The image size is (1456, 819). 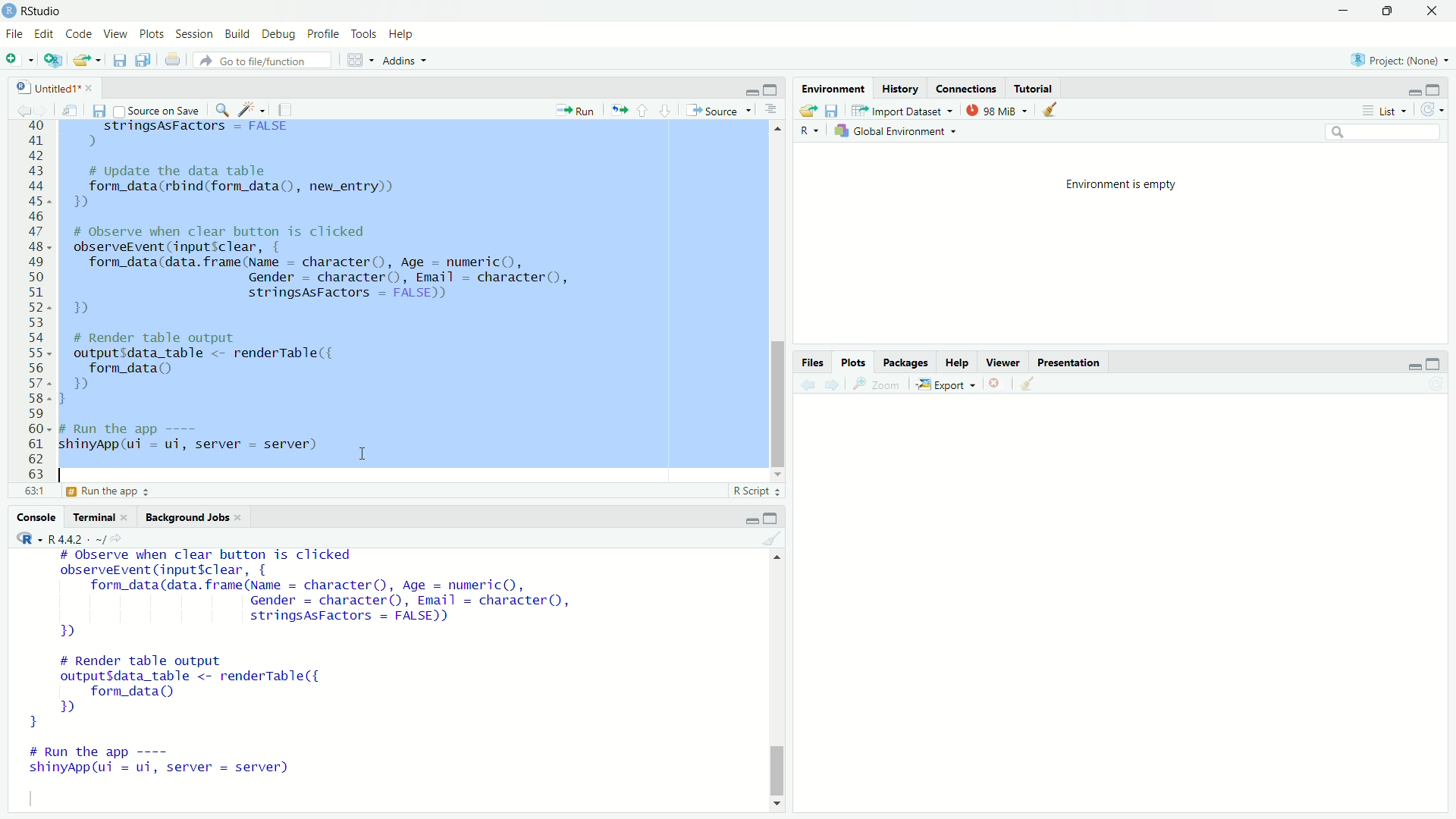 I want to click on go forward to the next source location, so click(x=44, y=108).